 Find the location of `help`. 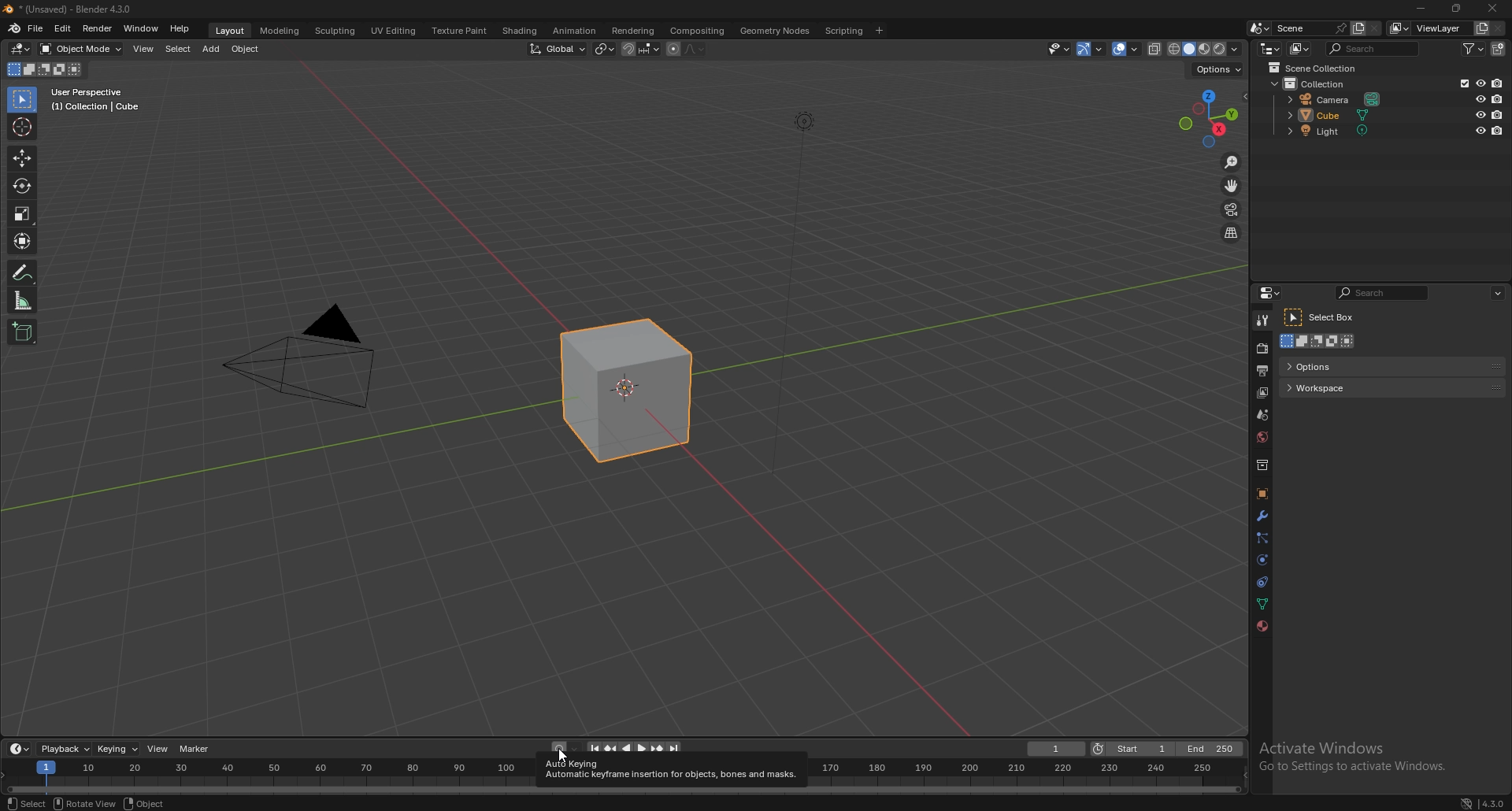

help is located at coordinates (181, 29).